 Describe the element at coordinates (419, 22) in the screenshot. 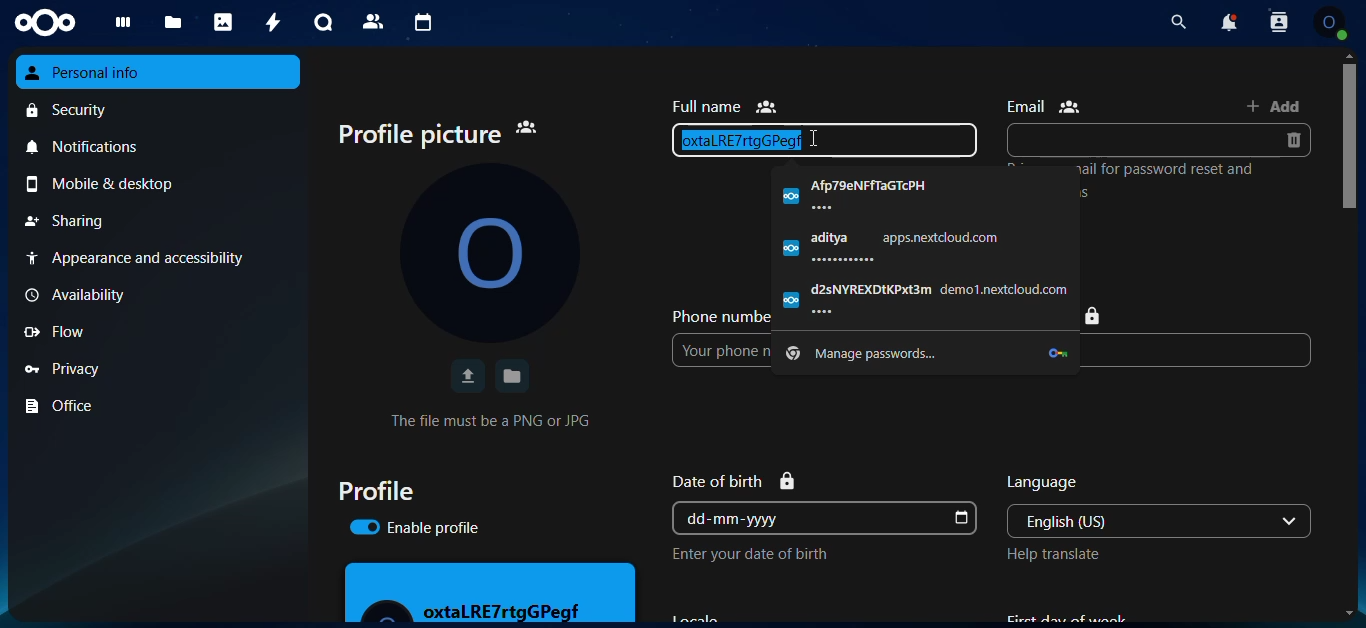

I see `calendar` at that location.